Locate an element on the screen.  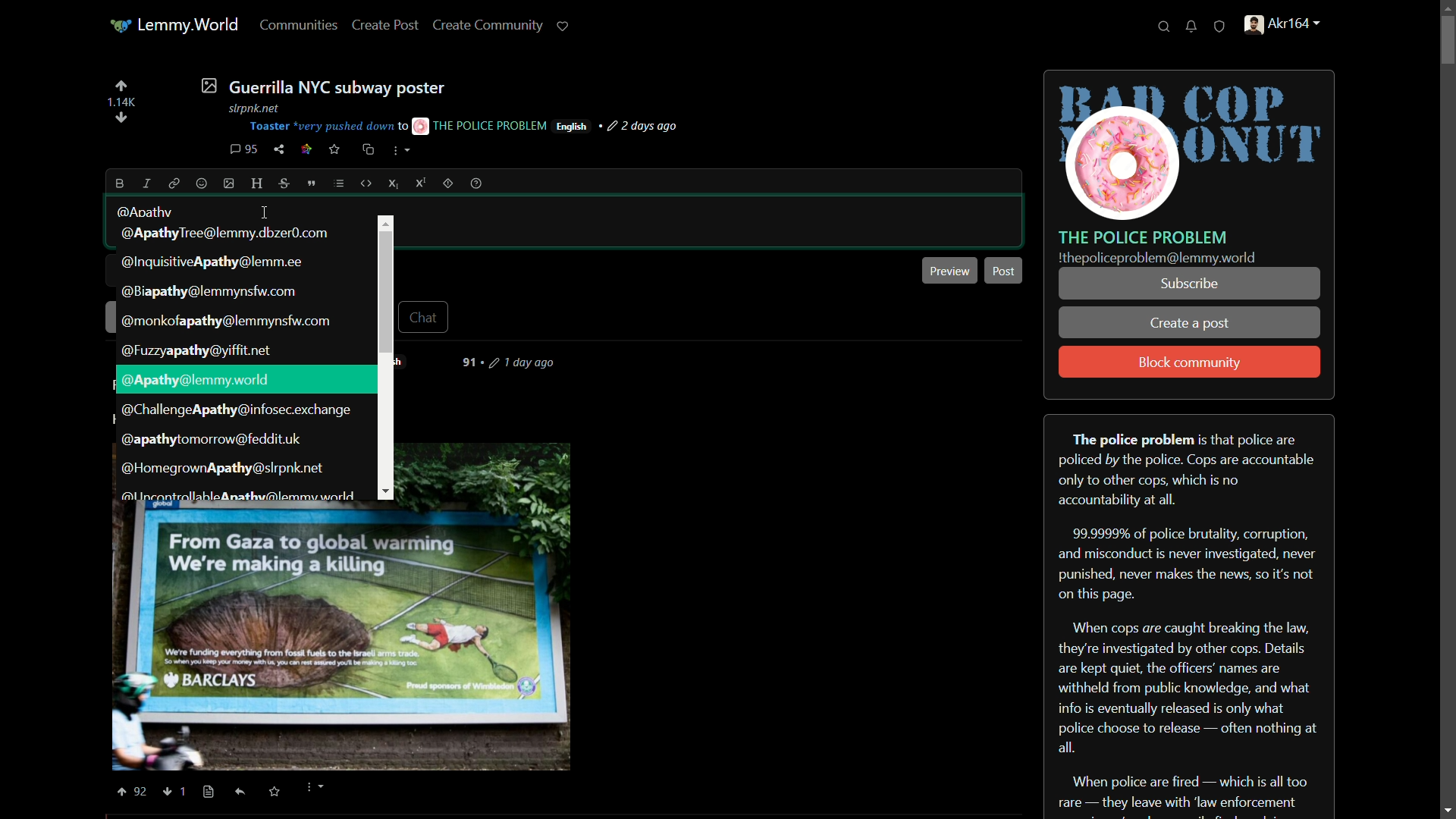
list is located at coordinates (339, 184).